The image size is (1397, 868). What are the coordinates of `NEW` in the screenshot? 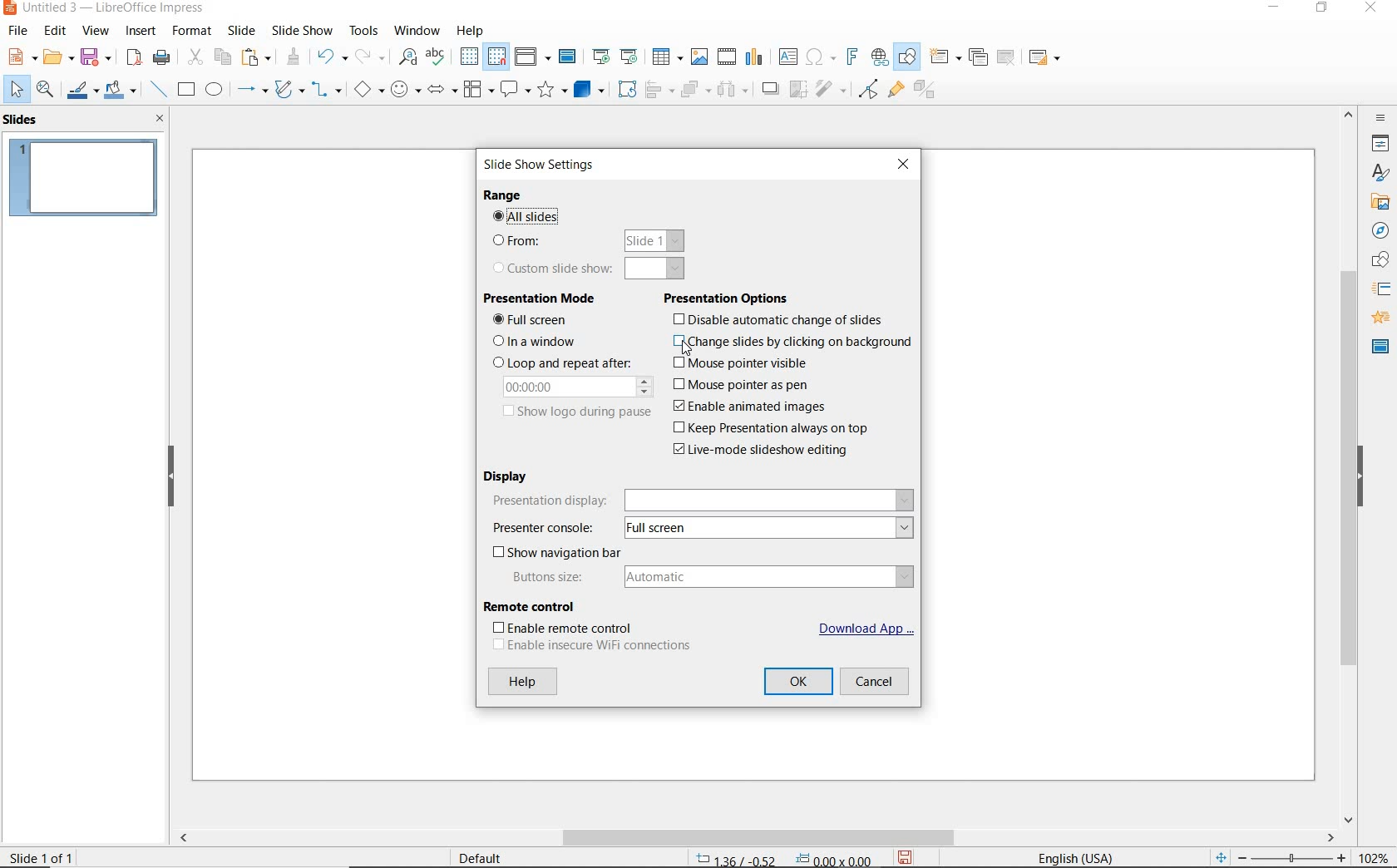 It's located at (19, 56).